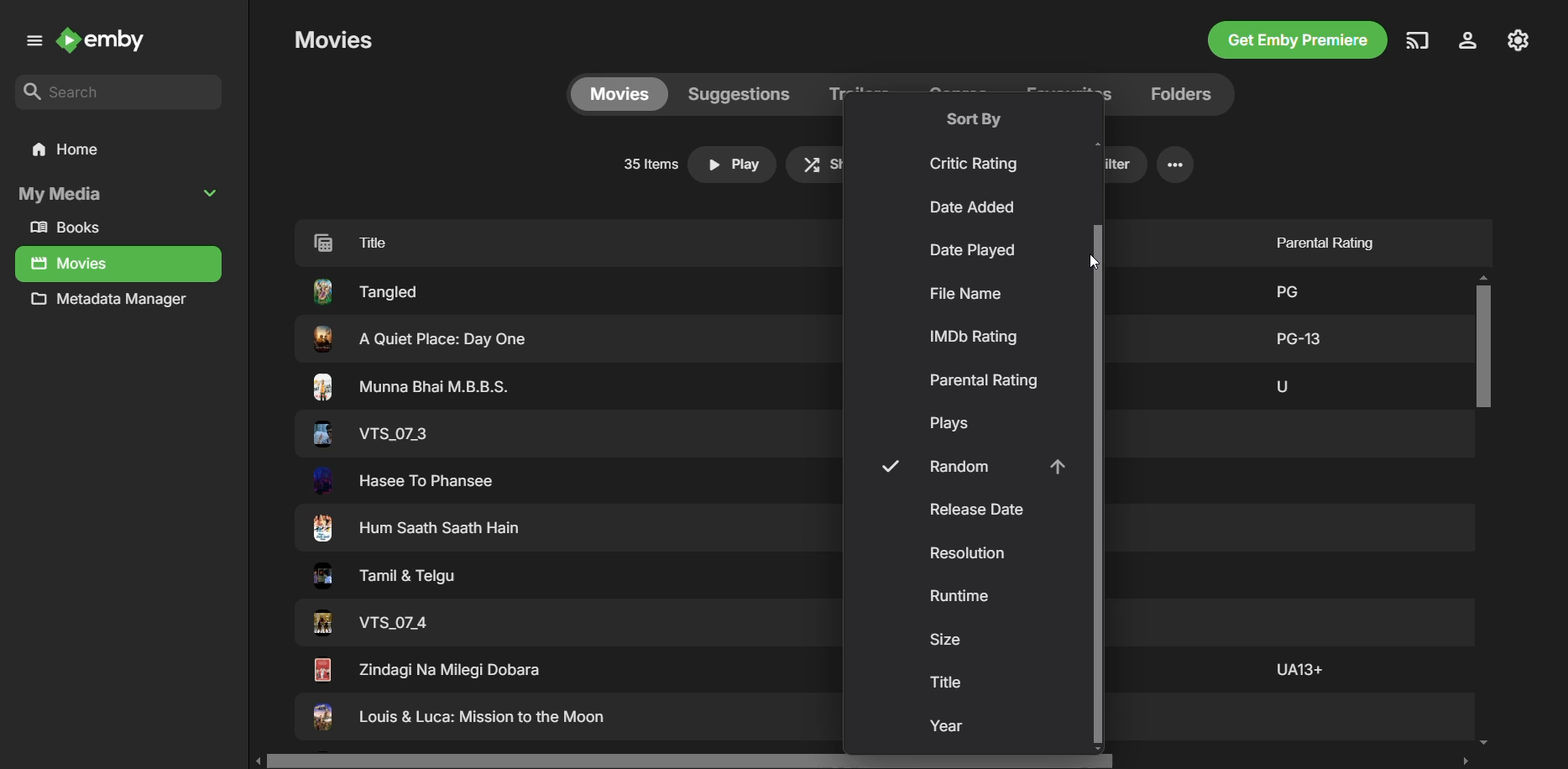  Describe the element at coordinates (975, 209) in the screenshot. I see `Date Added` at that location.